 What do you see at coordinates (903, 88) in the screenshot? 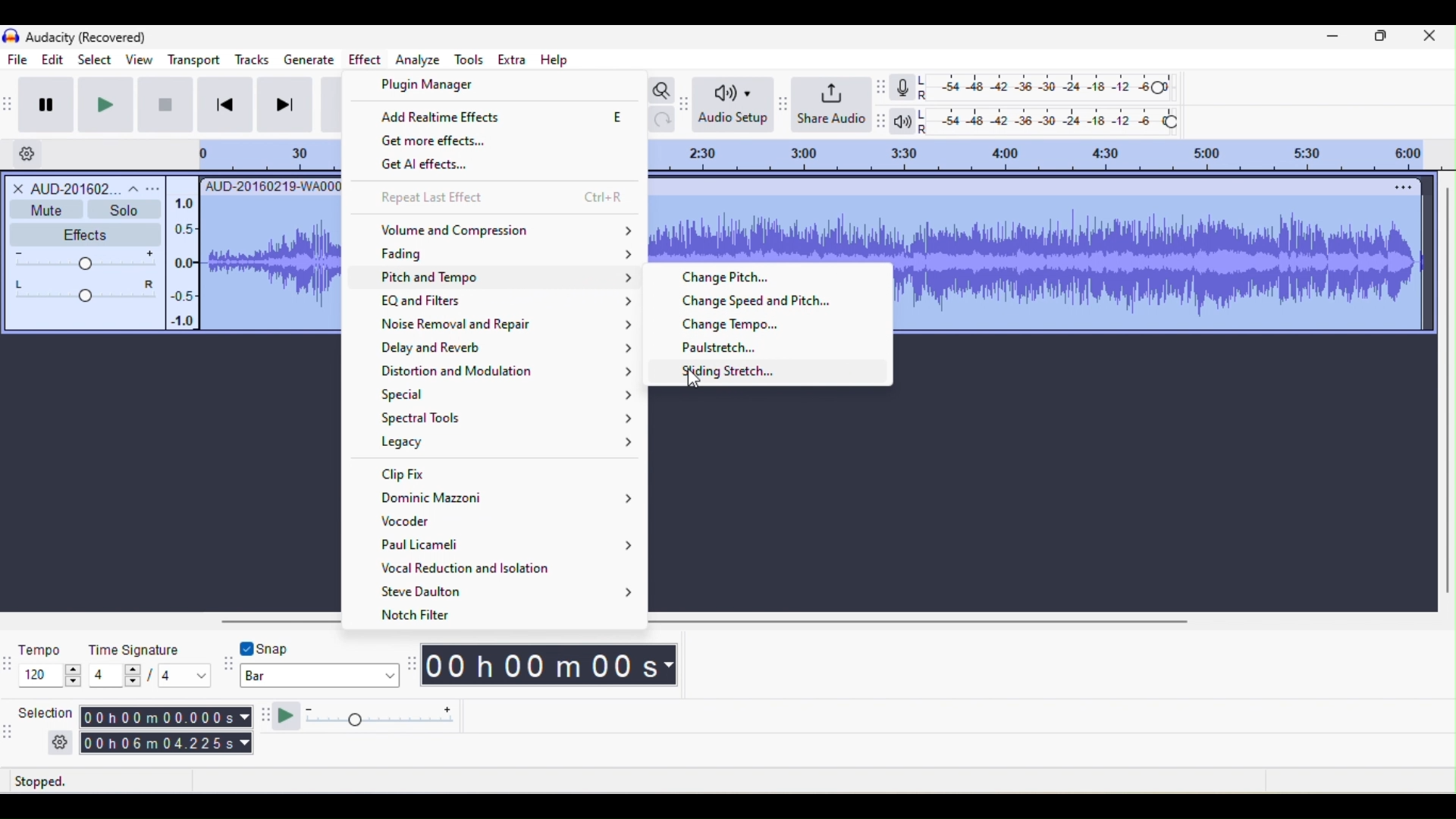
I see `record meter` at bounding box center [903, 88].